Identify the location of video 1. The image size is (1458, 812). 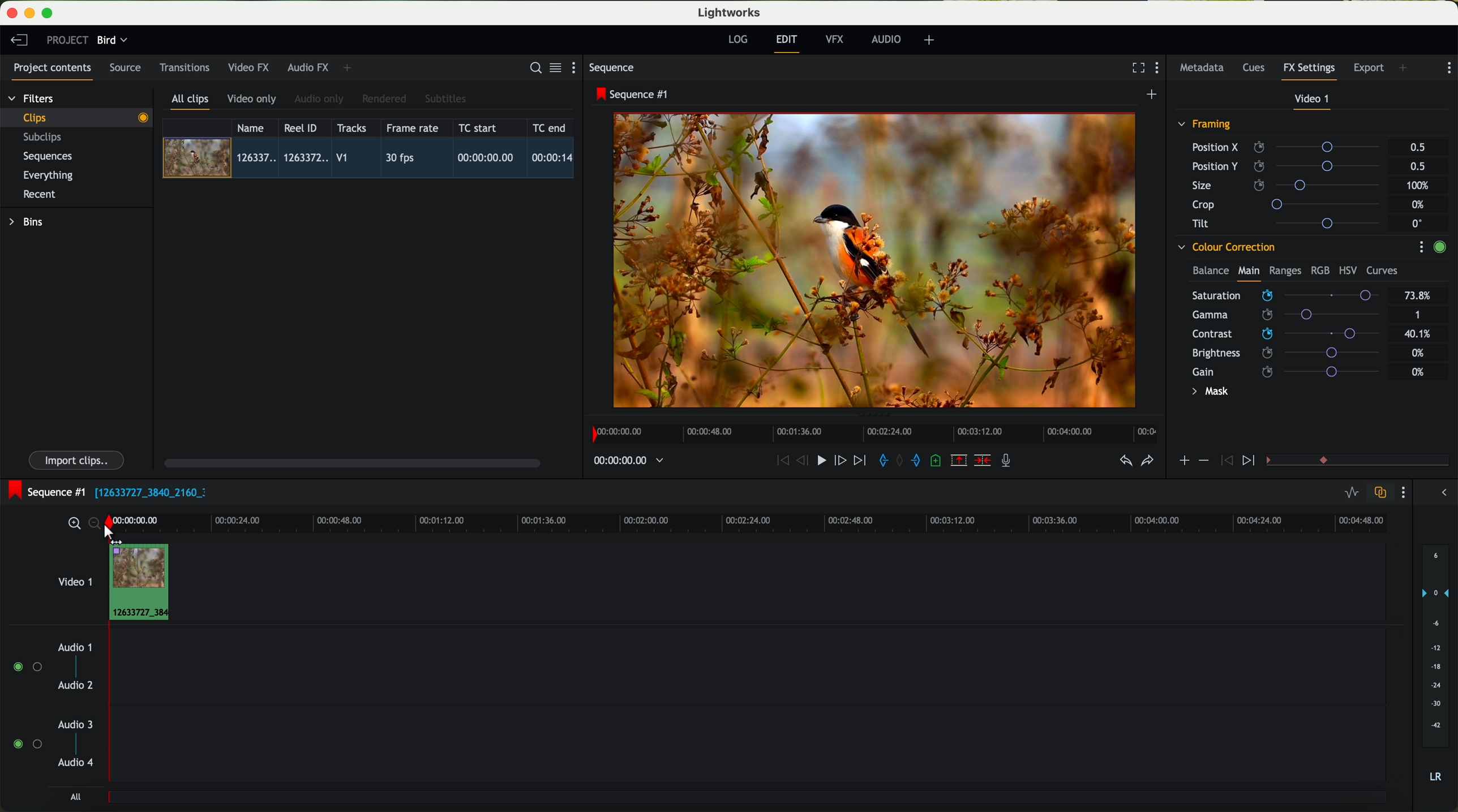
(1313, 101).